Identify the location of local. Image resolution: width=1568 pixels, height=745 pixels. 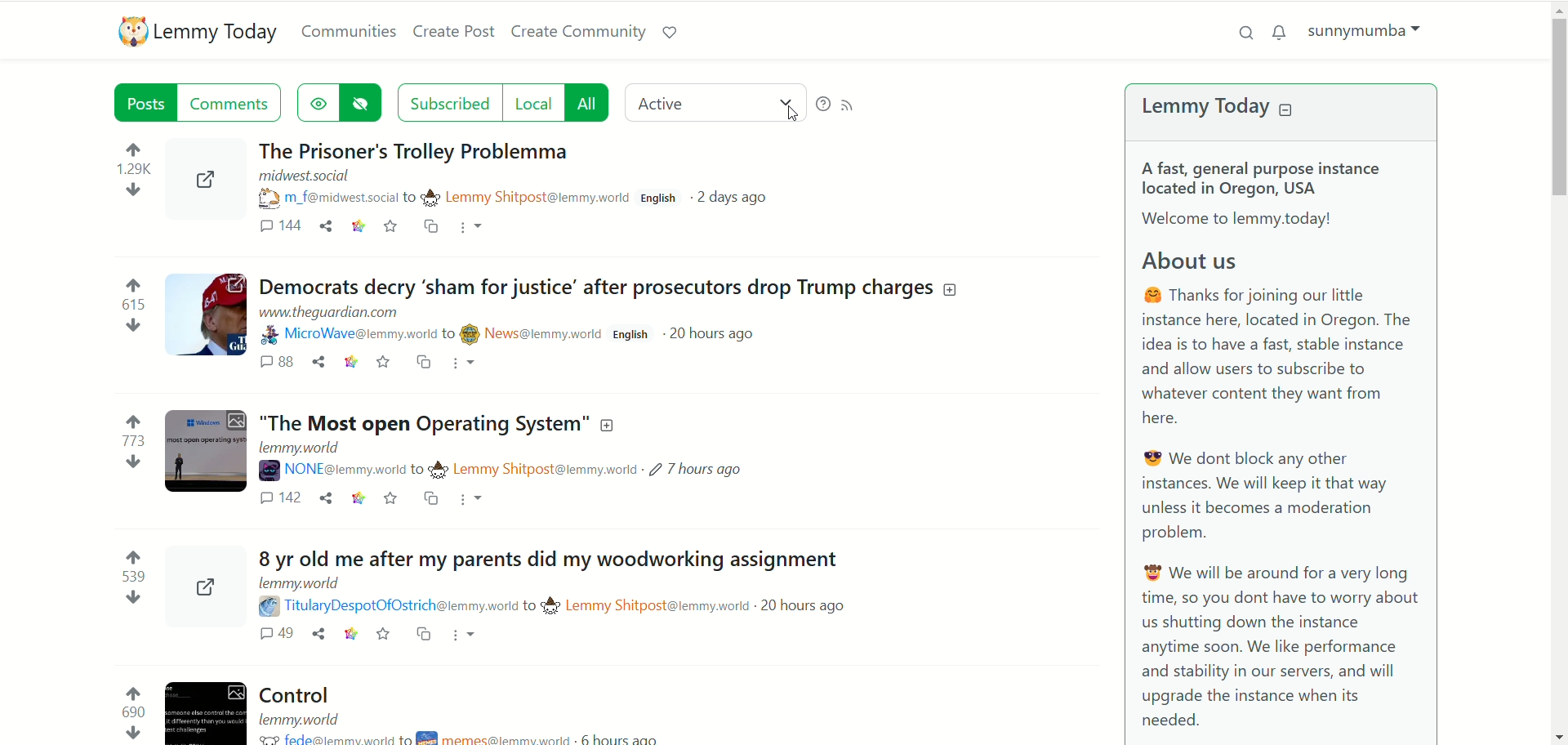
(530, 103).